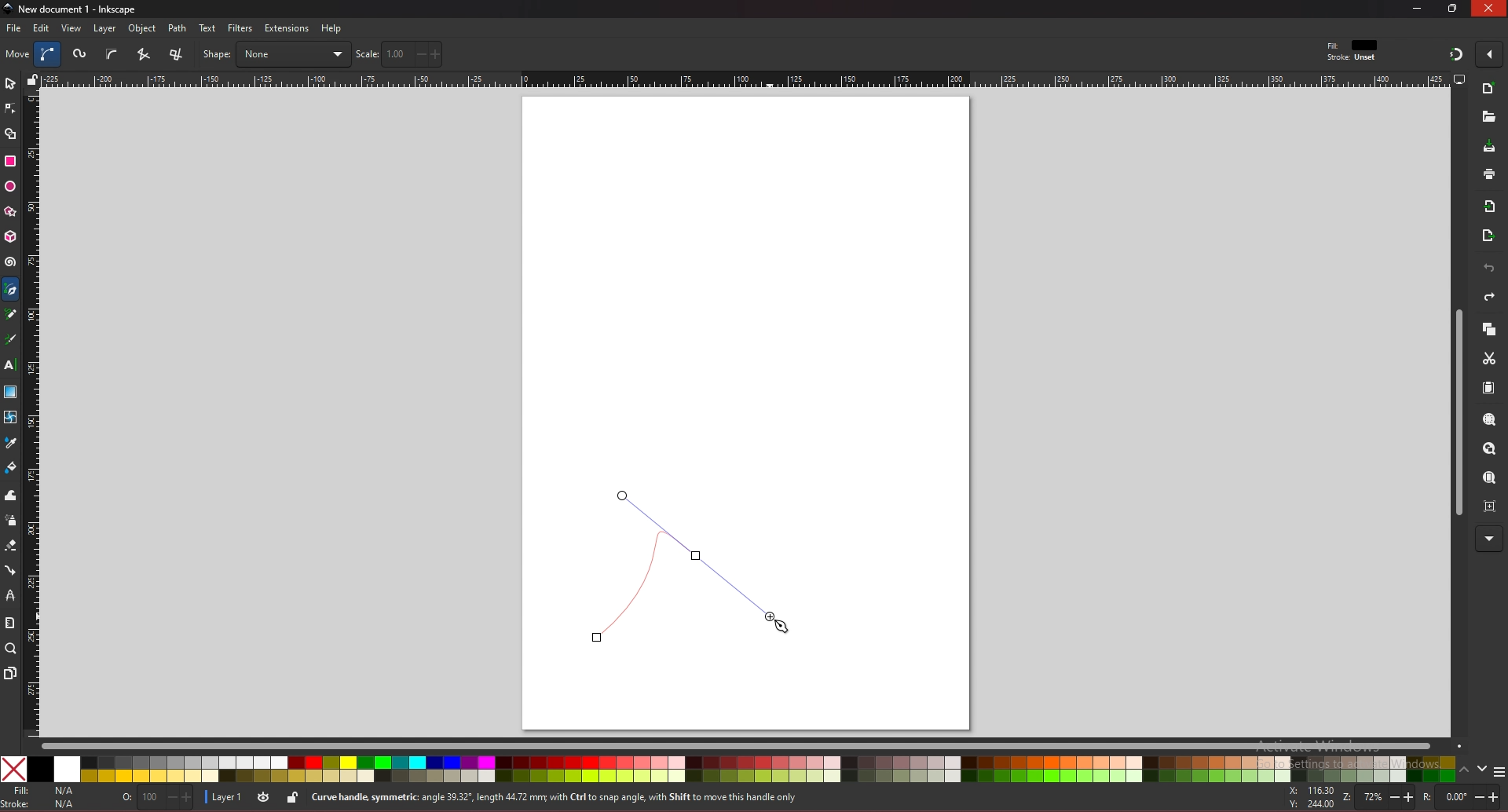 The height and width of the screenshot is (812, 1508). Describe the element at coordinates (11, 392) in the screenshot. I see `gradient` at that location.